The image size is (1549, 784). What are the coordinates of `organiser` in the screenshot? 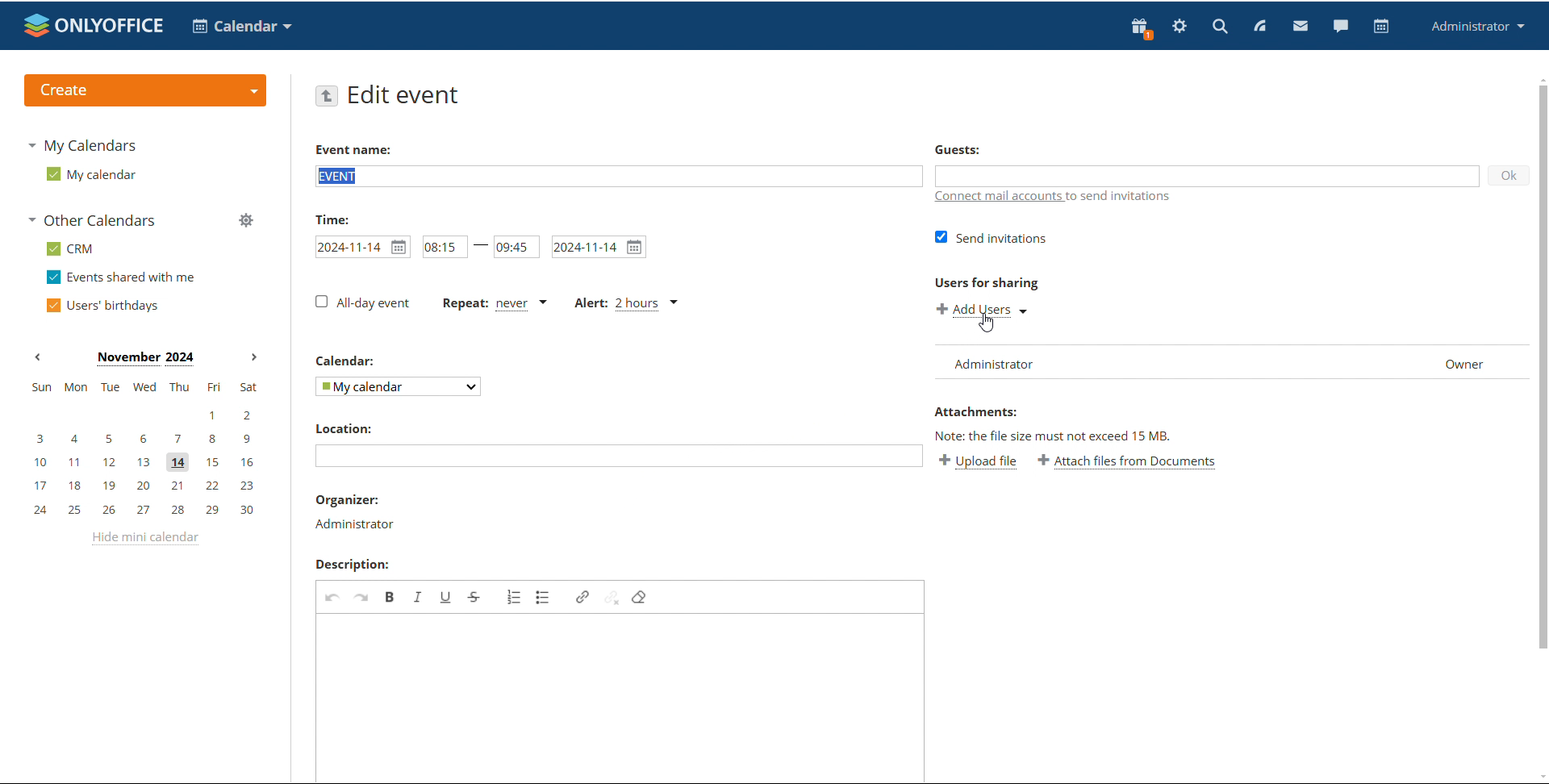 It's located at (346, 499).